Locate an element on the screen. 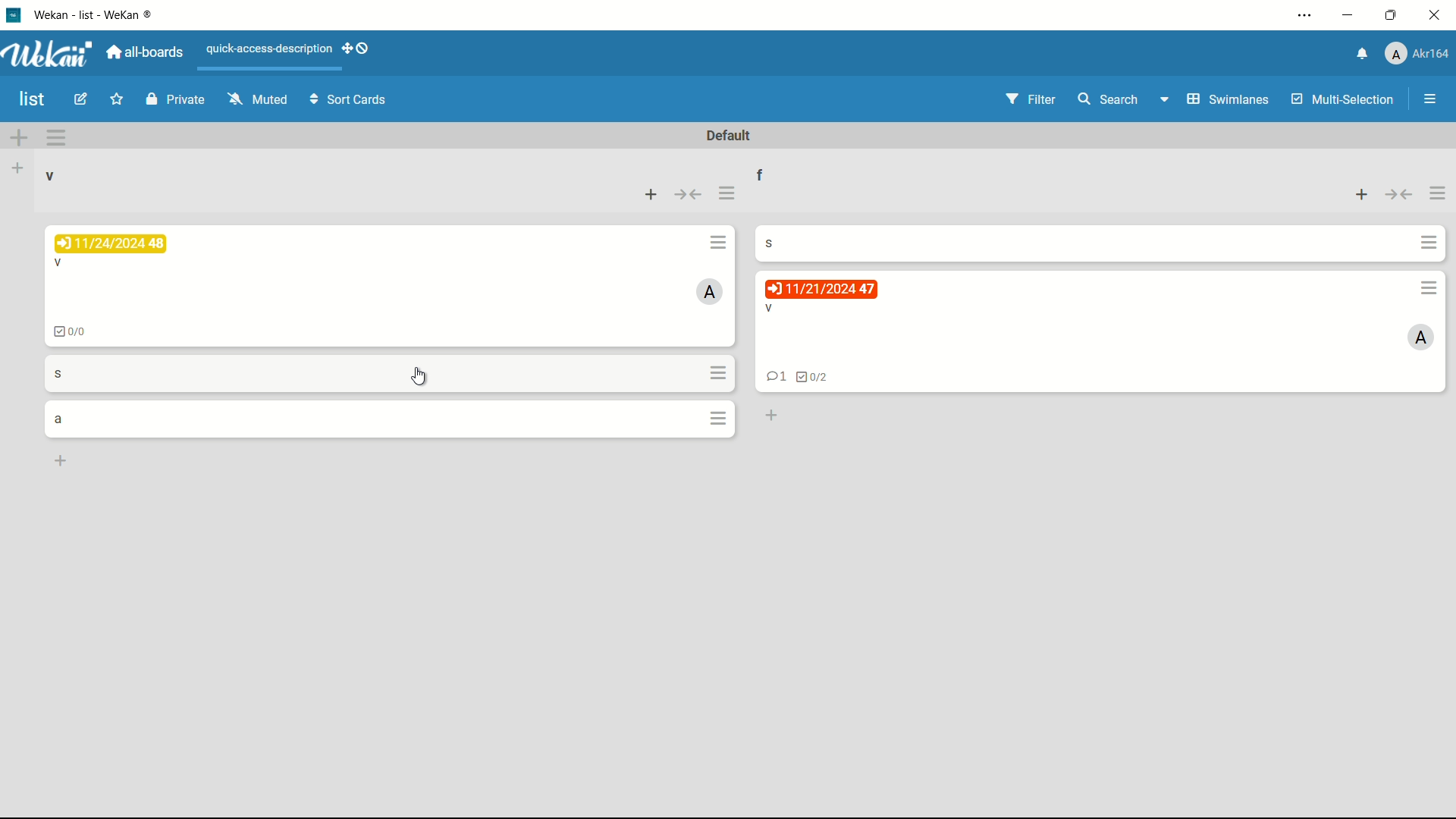 Image resolution: width=1456 pixels, height=819 pixels. search is located at coordinates (1109, 99).